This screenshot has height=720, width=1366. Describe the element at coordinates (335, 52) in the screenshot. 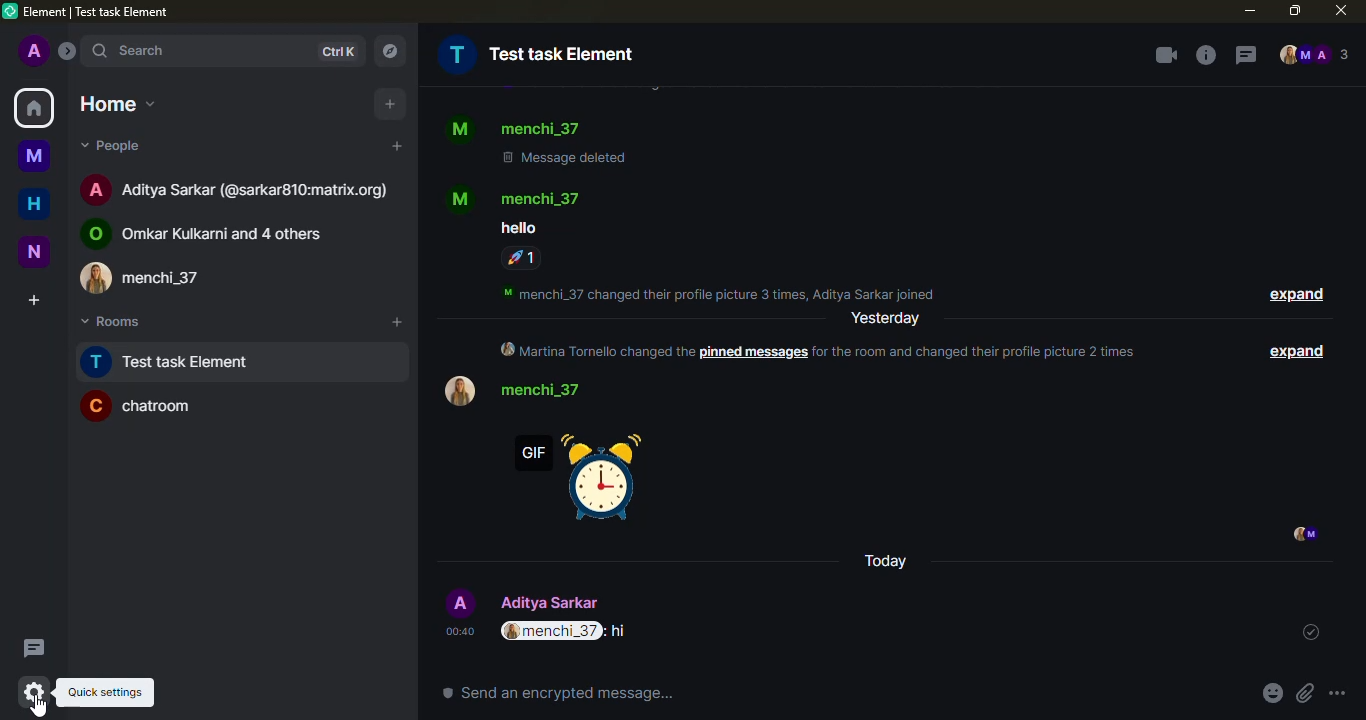

I see `ctrlK` at that location.